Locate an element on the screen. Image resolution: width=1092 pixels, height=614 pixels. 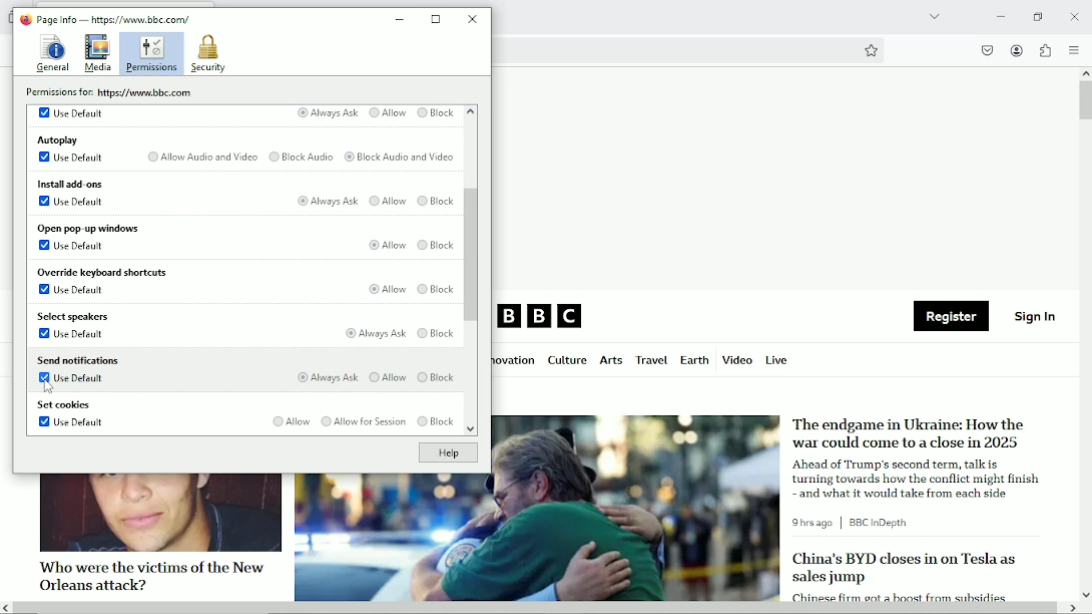
Use default is located at coordinates (75, 292).